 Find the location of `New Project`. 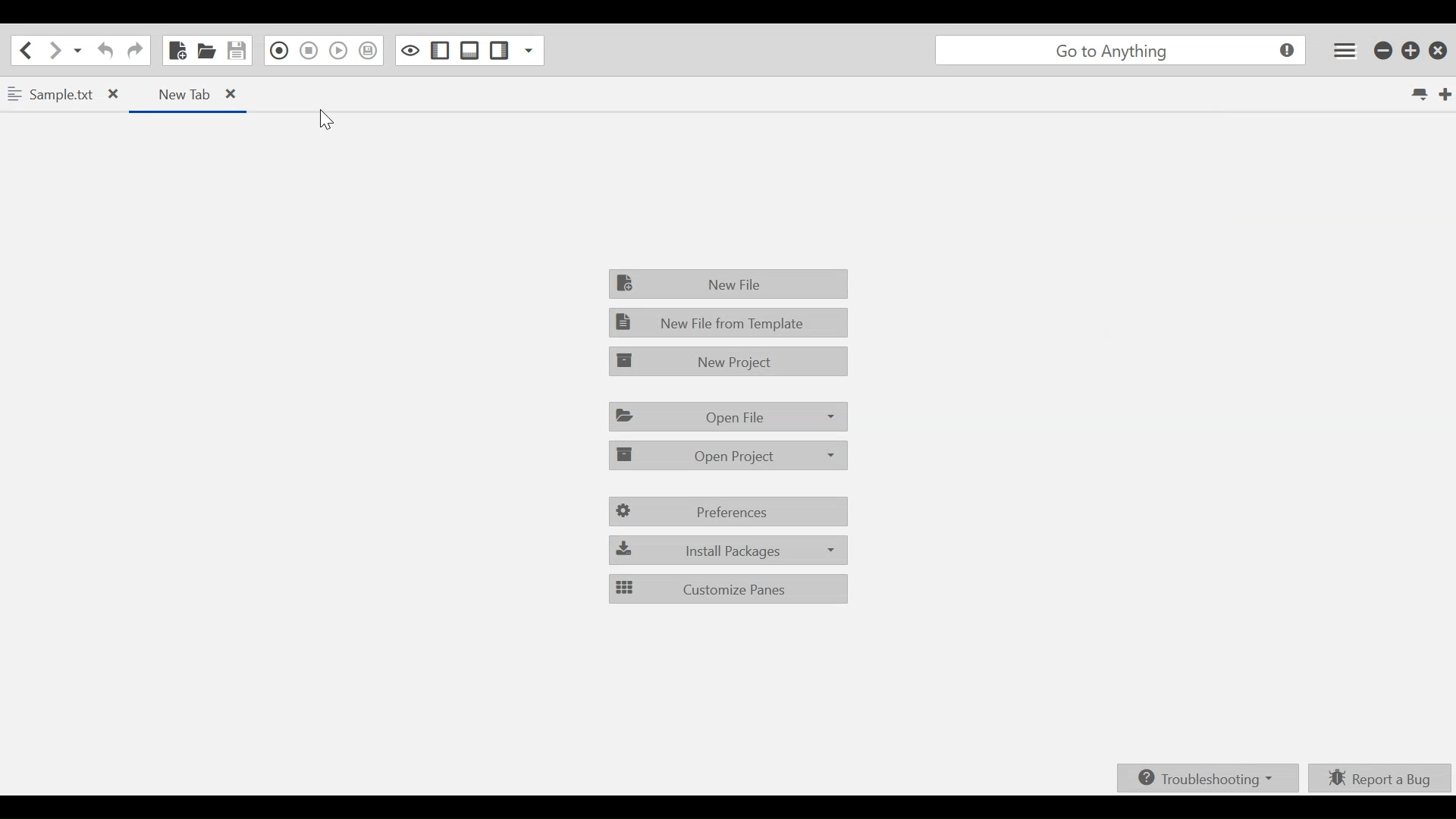

New Project is located at coordinates (727, 360).